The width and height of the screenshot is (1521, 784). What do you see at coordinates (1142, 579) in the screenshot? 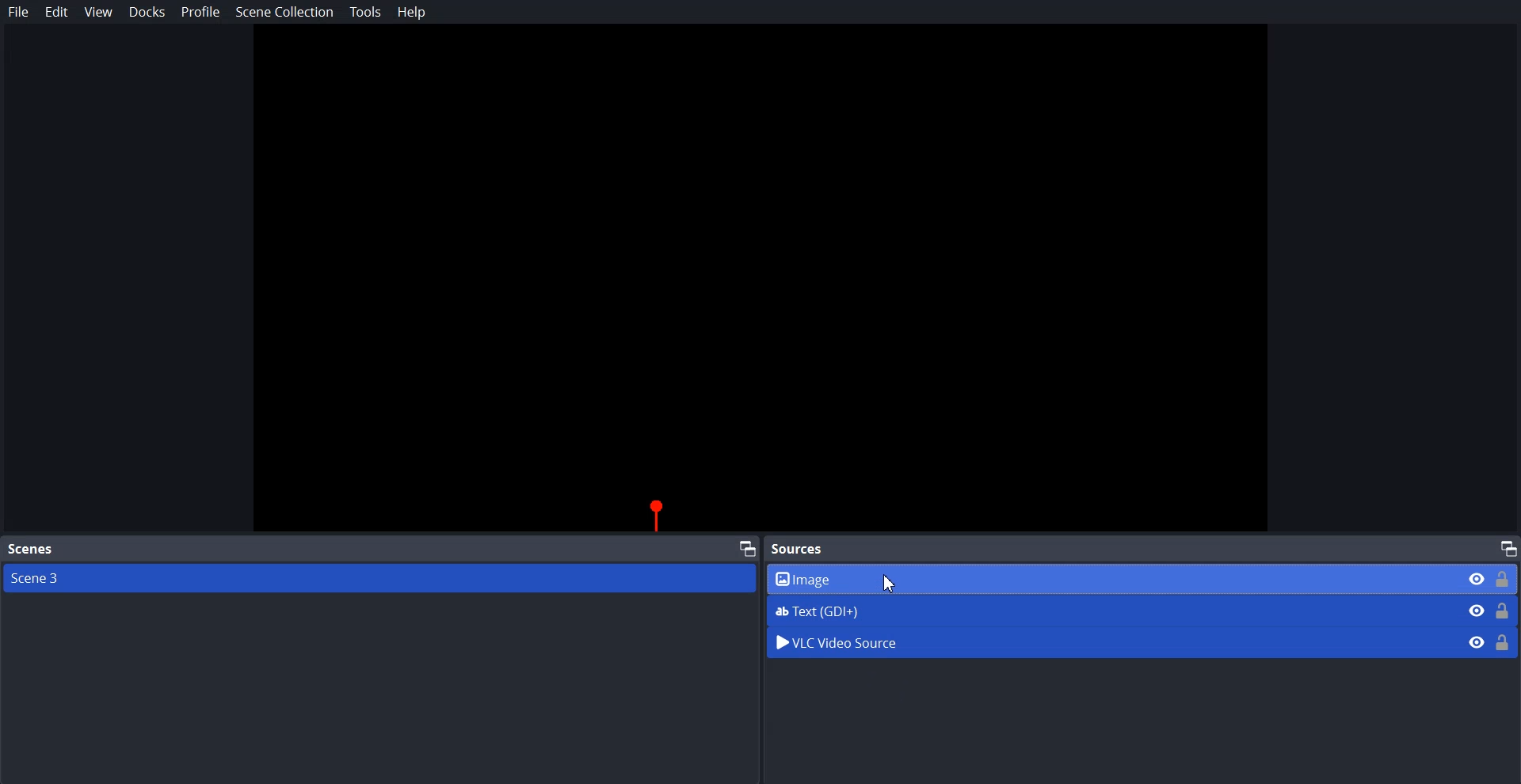
I see `Image` at bounding box center [1142, 579].